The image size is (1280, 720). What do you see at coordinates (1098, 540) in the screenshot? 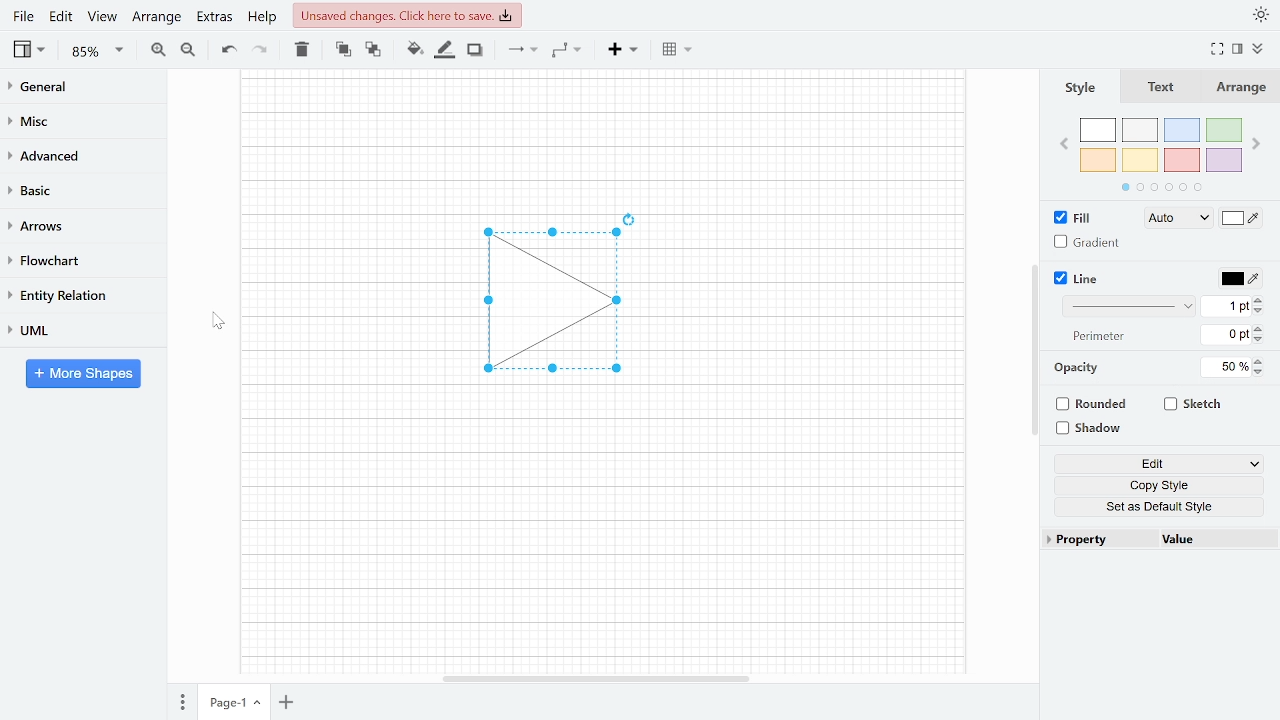
I see `Property` at bounding box center [1098, 540].